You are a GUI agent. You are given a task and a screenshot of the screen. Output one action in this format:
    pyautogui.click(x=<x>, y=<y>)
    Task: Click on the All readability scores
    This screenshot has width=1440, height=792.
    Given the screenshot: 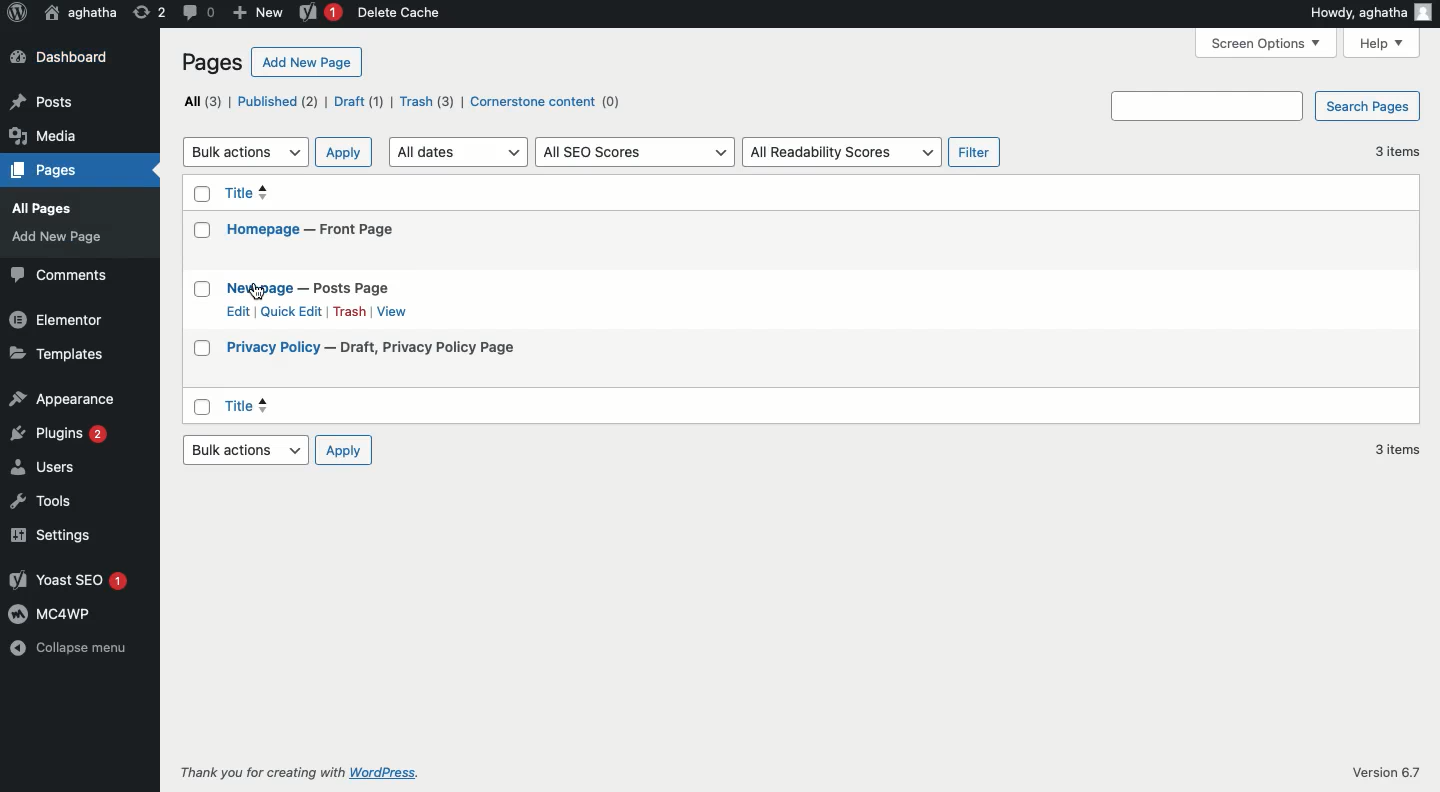 What is the action you would take?
    pyautogui.click(x=839, y=152)
    